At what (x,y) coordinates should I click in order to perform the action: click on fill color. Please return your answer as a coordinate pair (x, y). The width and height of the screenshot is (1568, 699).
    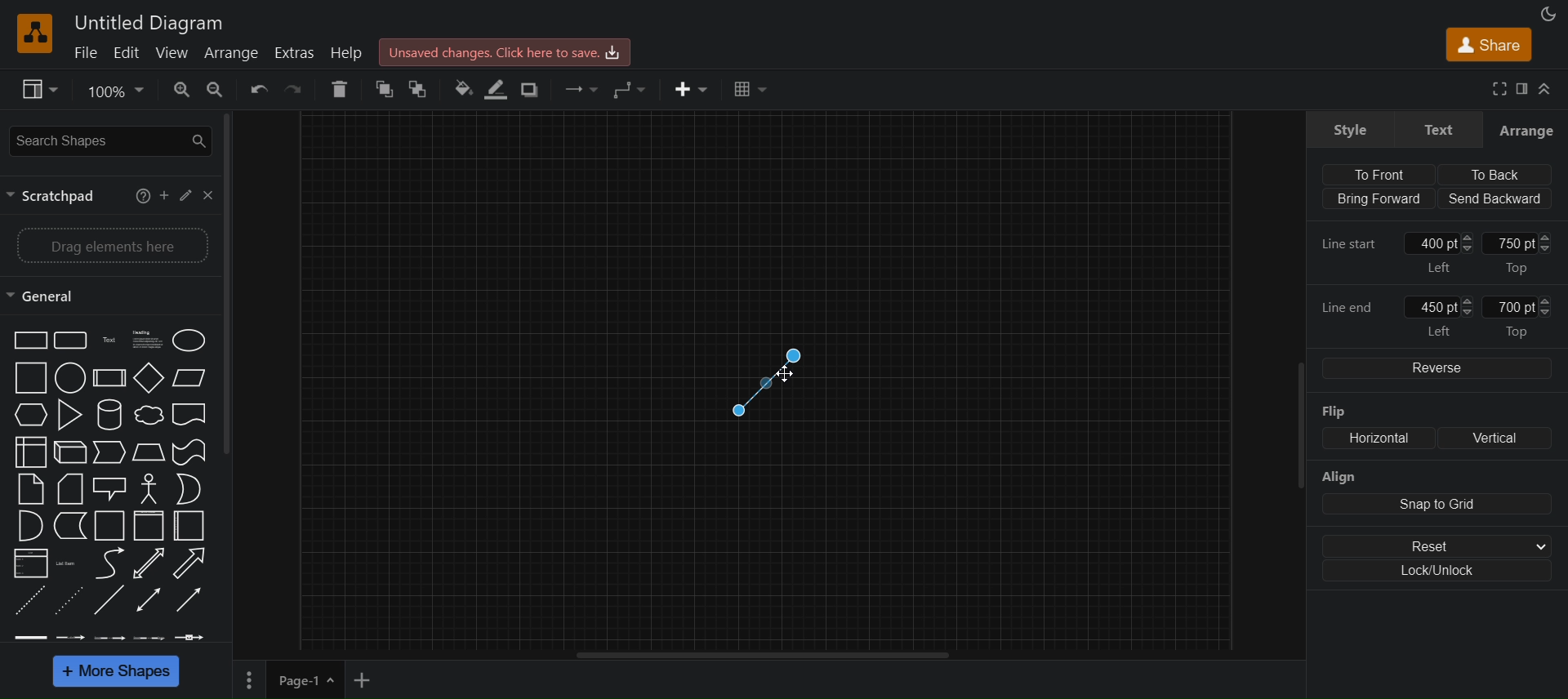
    Looking at the image, I should click on (459, 89).